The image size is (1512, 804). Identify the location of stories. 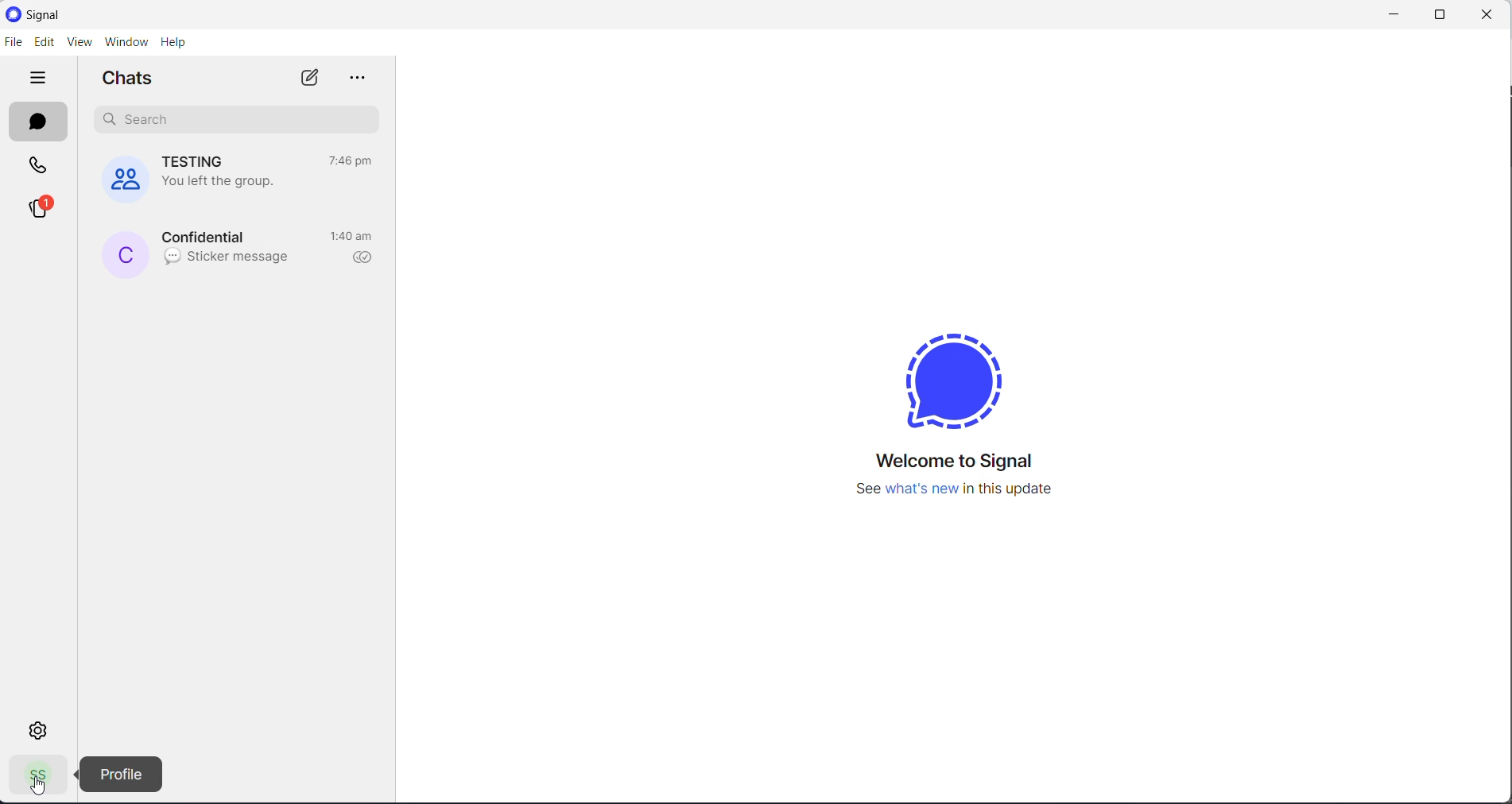
(38, 210).